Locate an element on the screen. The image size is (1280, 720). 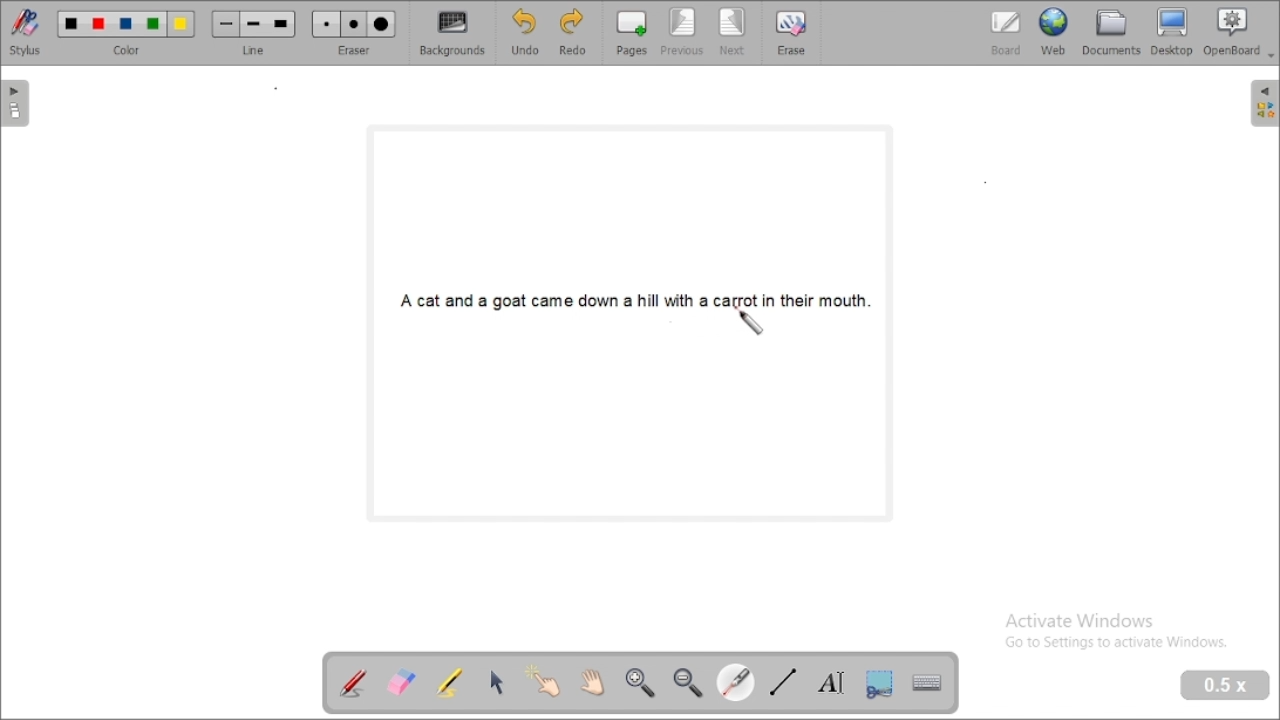
next is located at coordinates (734, 33).